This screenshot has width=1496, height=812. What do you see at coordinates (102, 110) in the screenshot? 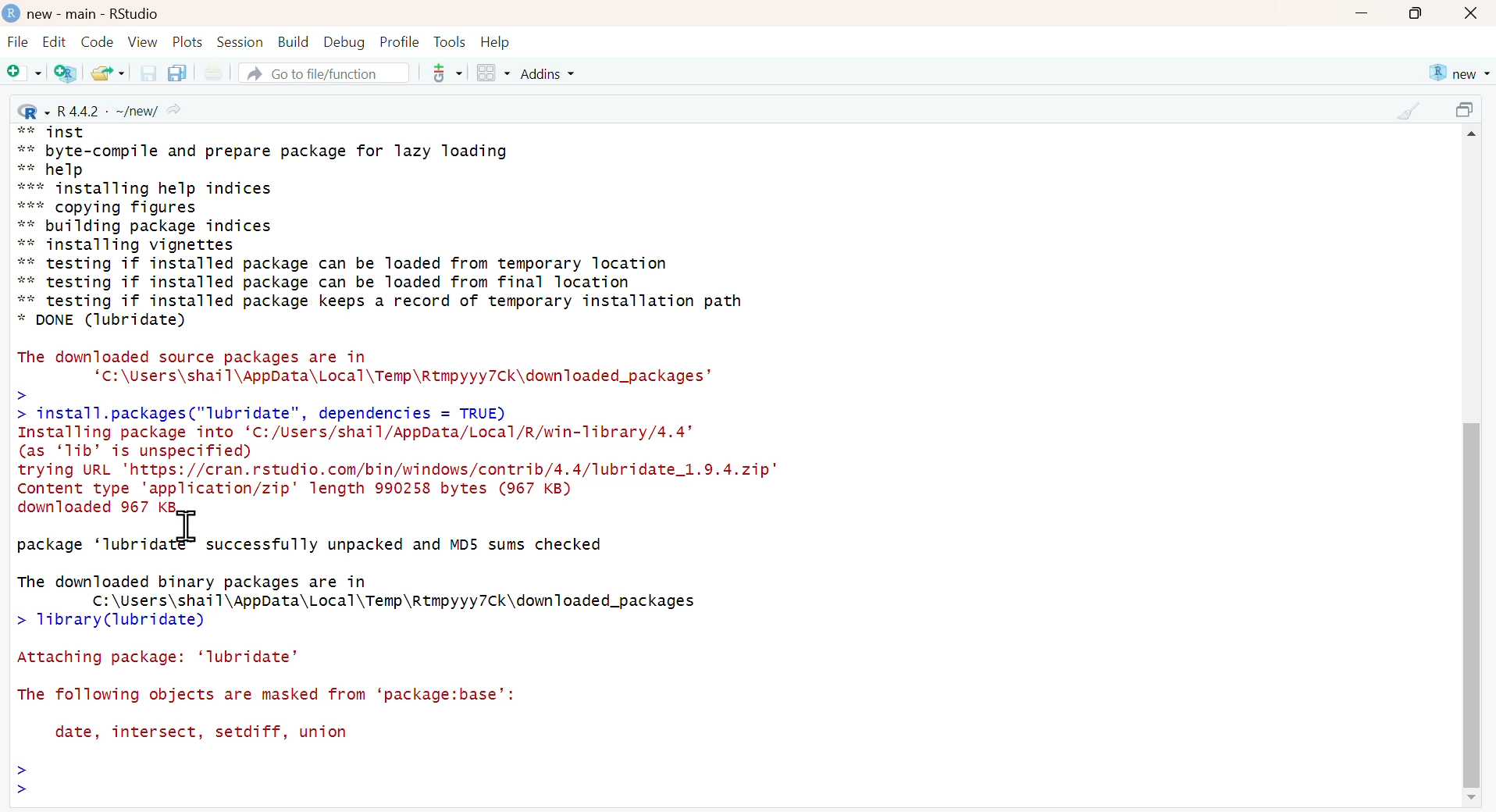
I see `R 4.4.2 . ~/new/` at bounding box center [102, 110].